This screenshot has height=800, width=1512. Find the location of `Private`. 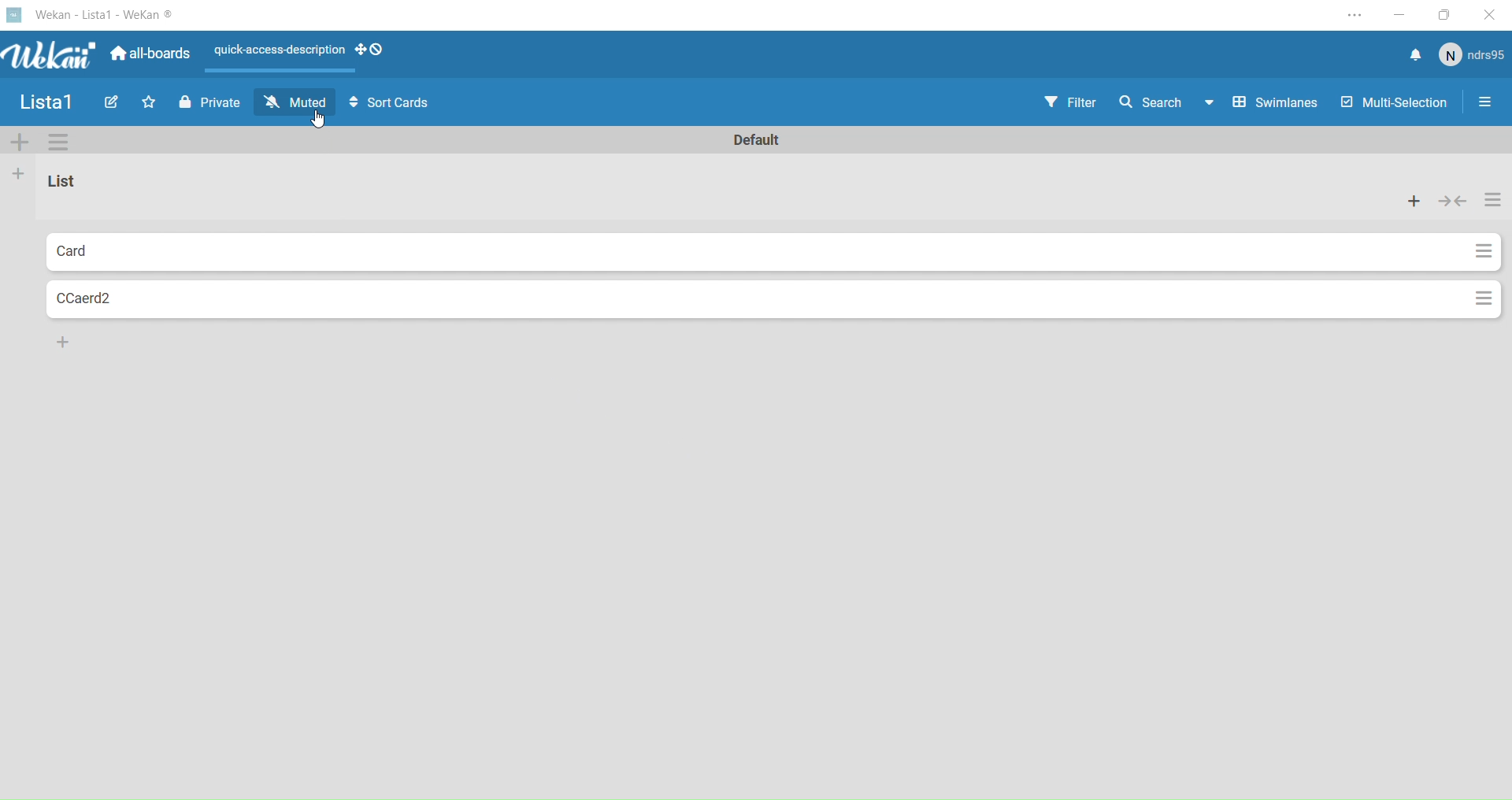

Private is located at coordinates (209, 104).